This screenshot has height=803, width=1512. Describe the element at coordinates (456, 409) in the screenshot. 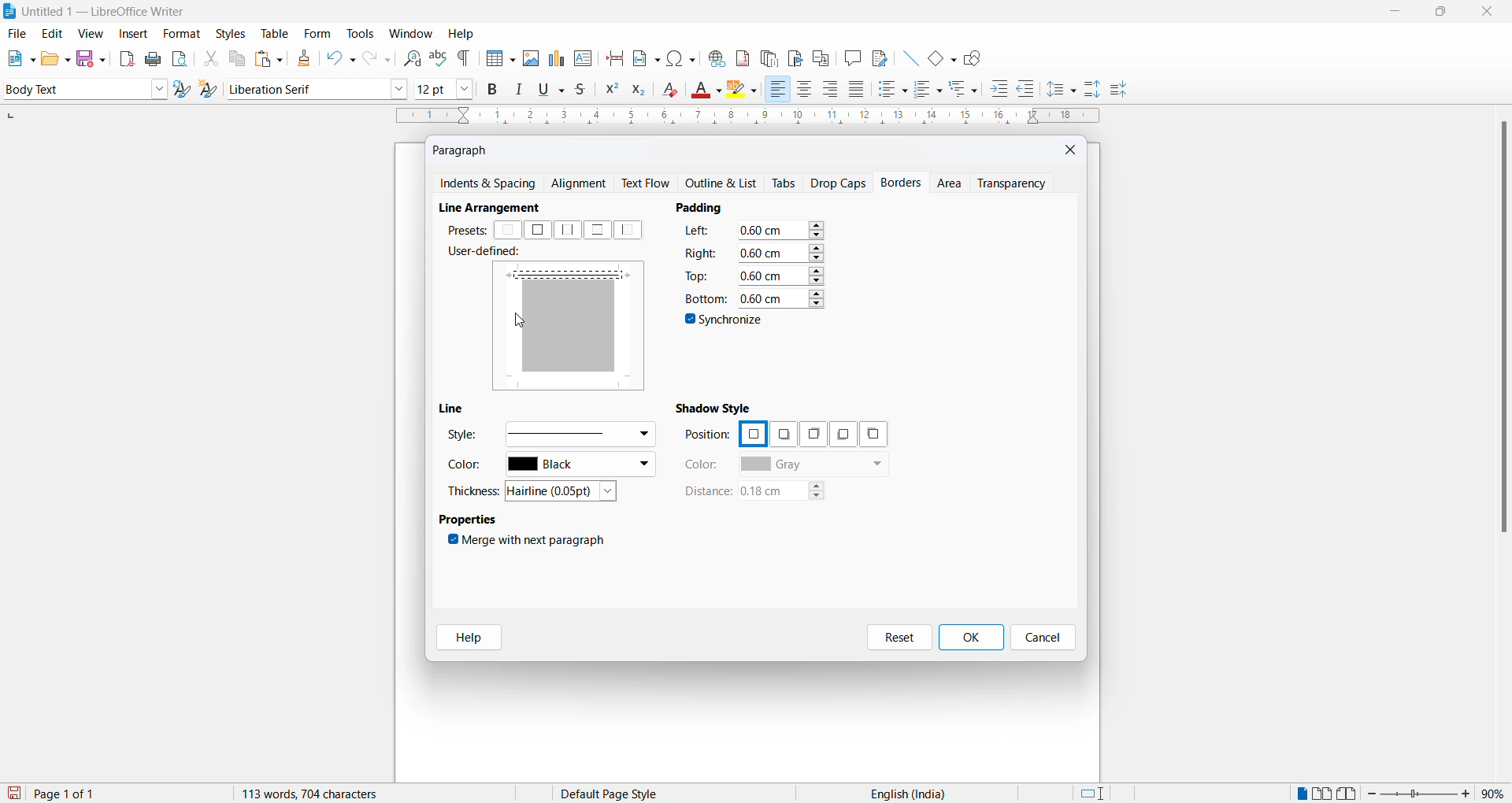

I see `line` at that location.